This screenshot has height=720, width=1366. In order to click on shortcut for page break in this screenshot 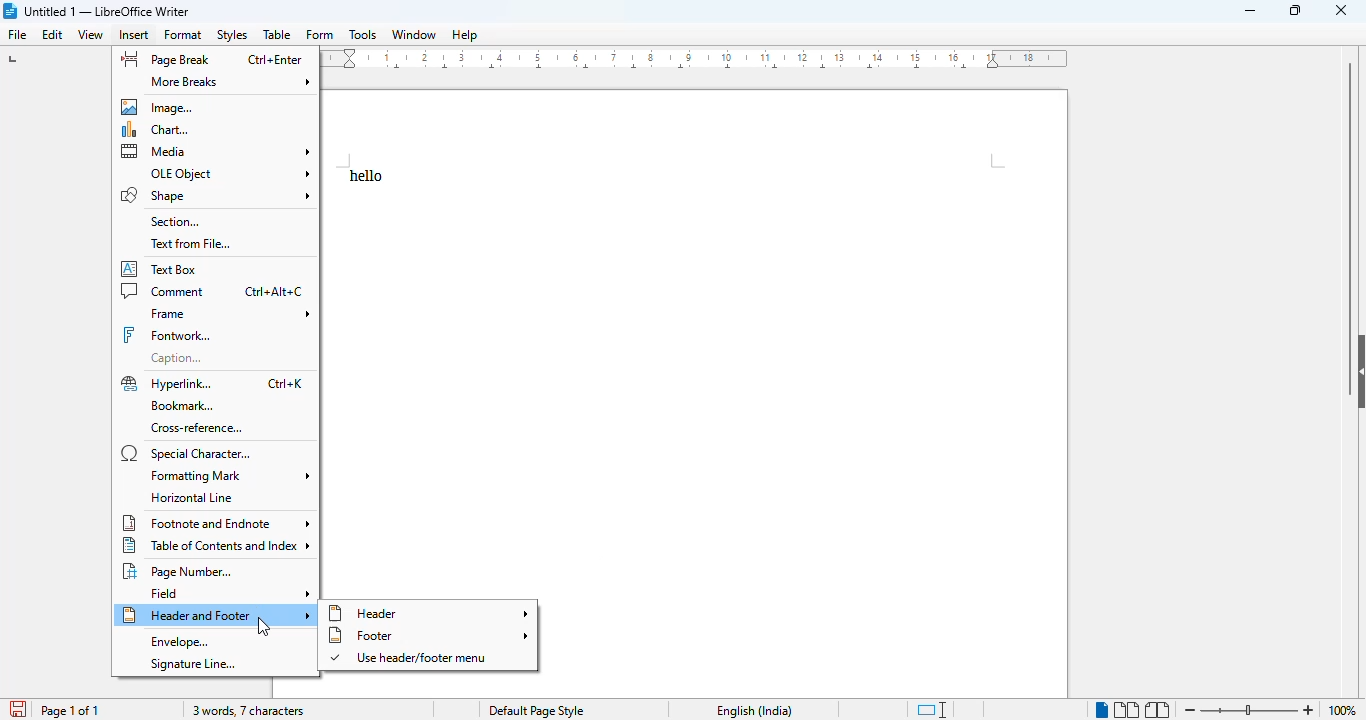, I will do `click(277, 60)`.